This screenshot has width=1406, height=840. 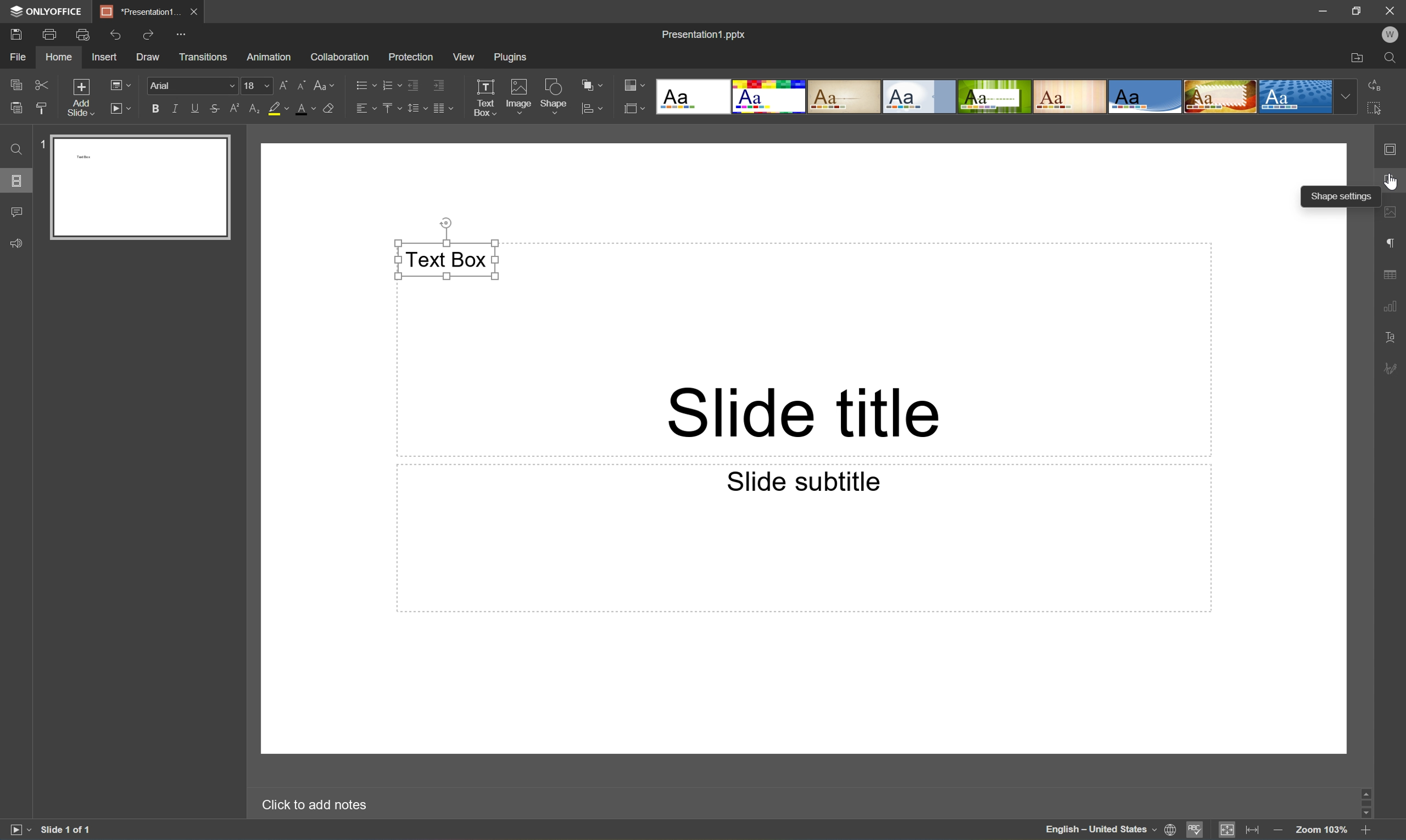 I want to click on Vertically align, so click(x=390, y=110).